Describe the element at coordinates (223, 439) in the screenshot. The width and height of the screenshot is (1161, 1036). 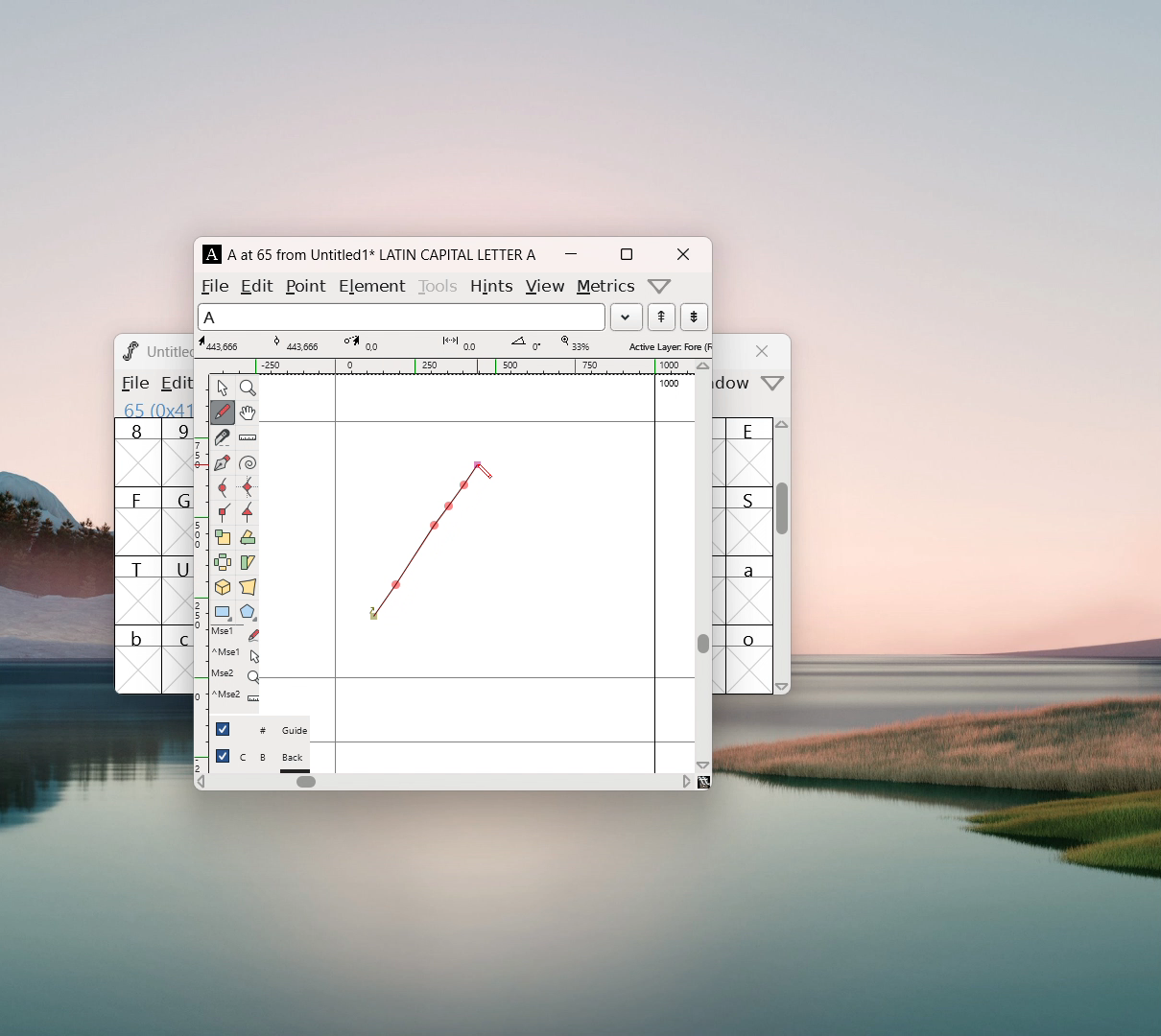
I see `cut splines in two` at that location.